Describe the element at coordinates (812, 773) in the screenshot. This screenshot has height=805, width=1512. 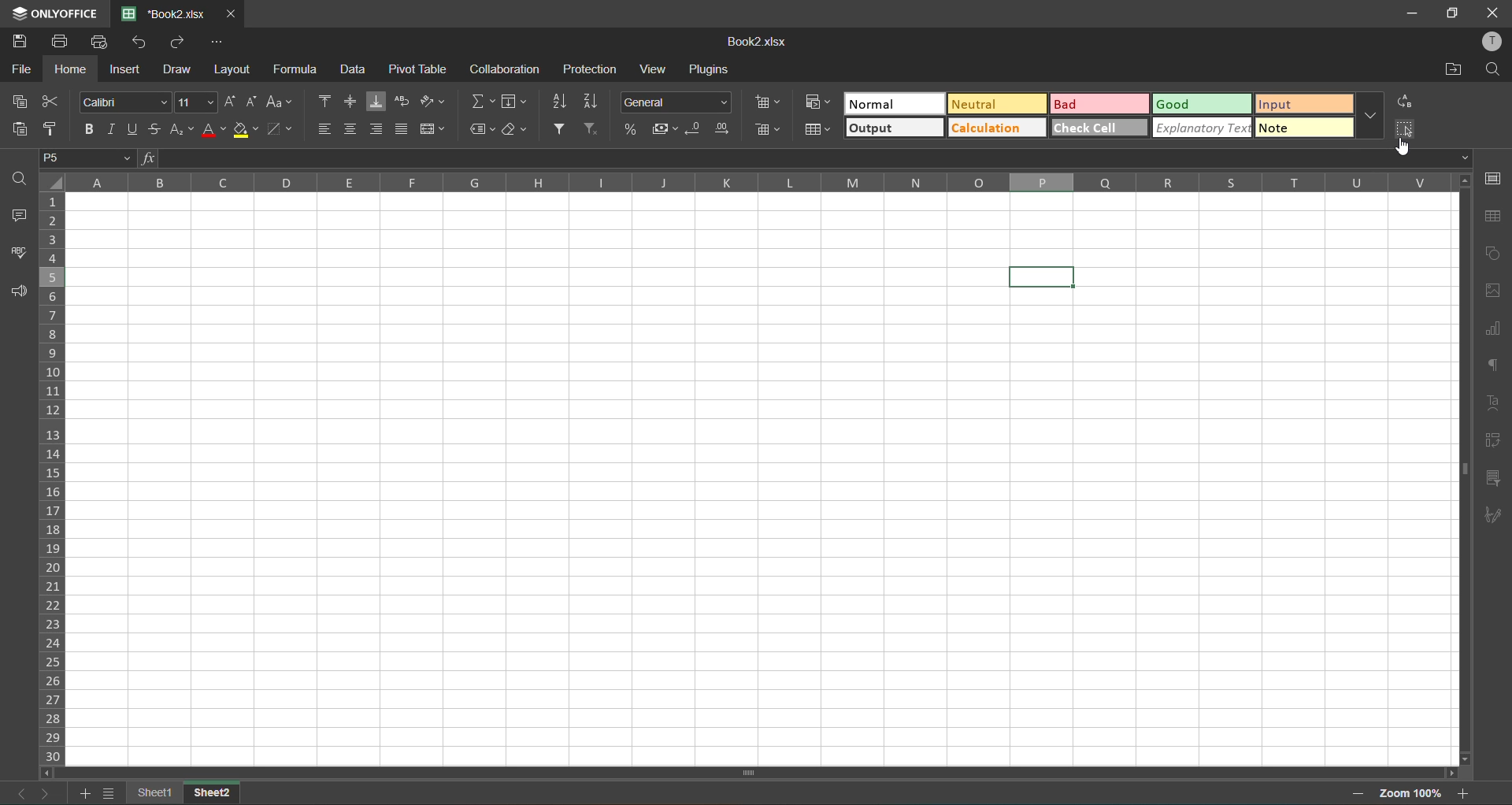
I see `scroll bar` at that location.